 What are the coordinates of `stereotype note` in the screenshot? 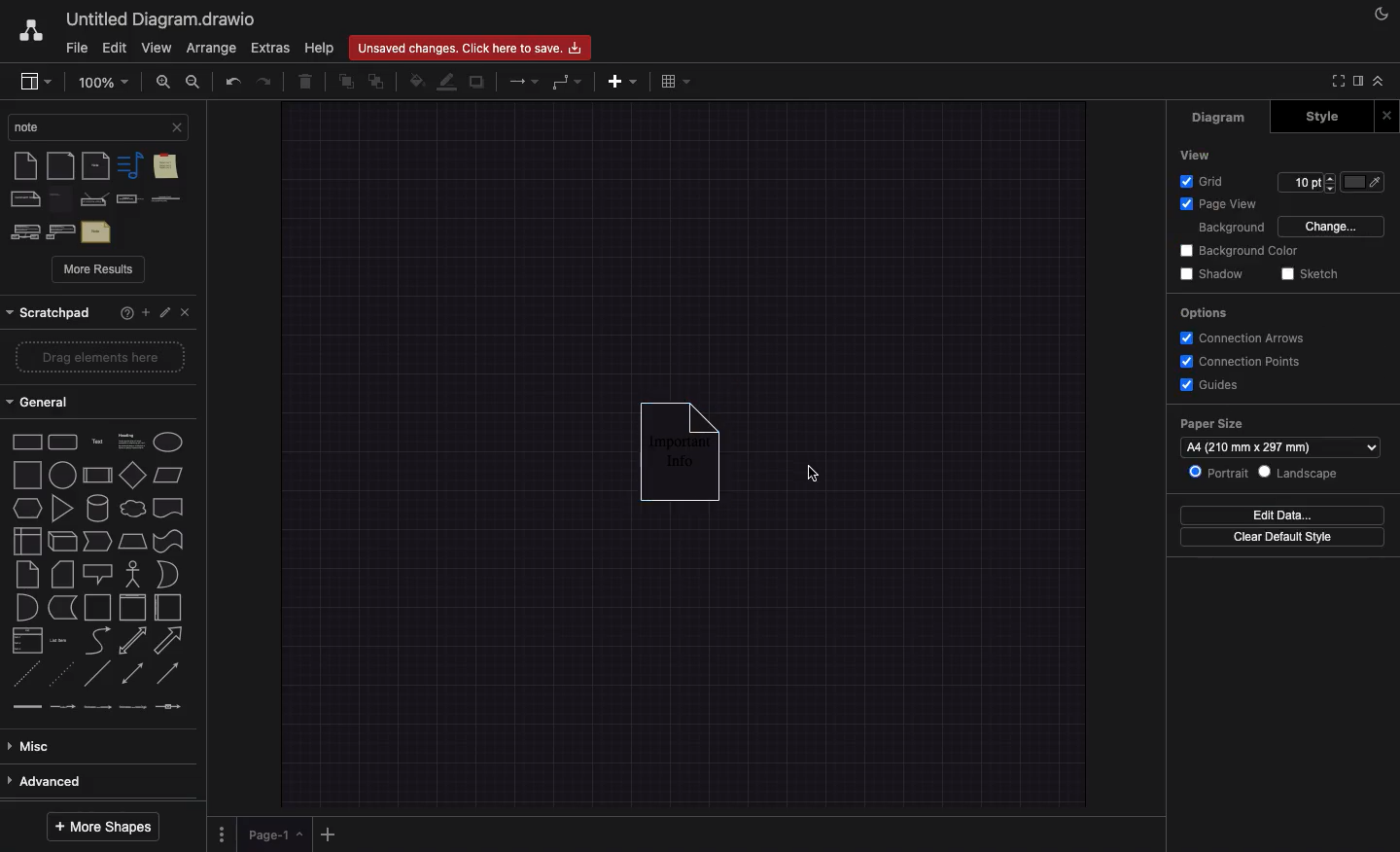 It's located at (22, 231).